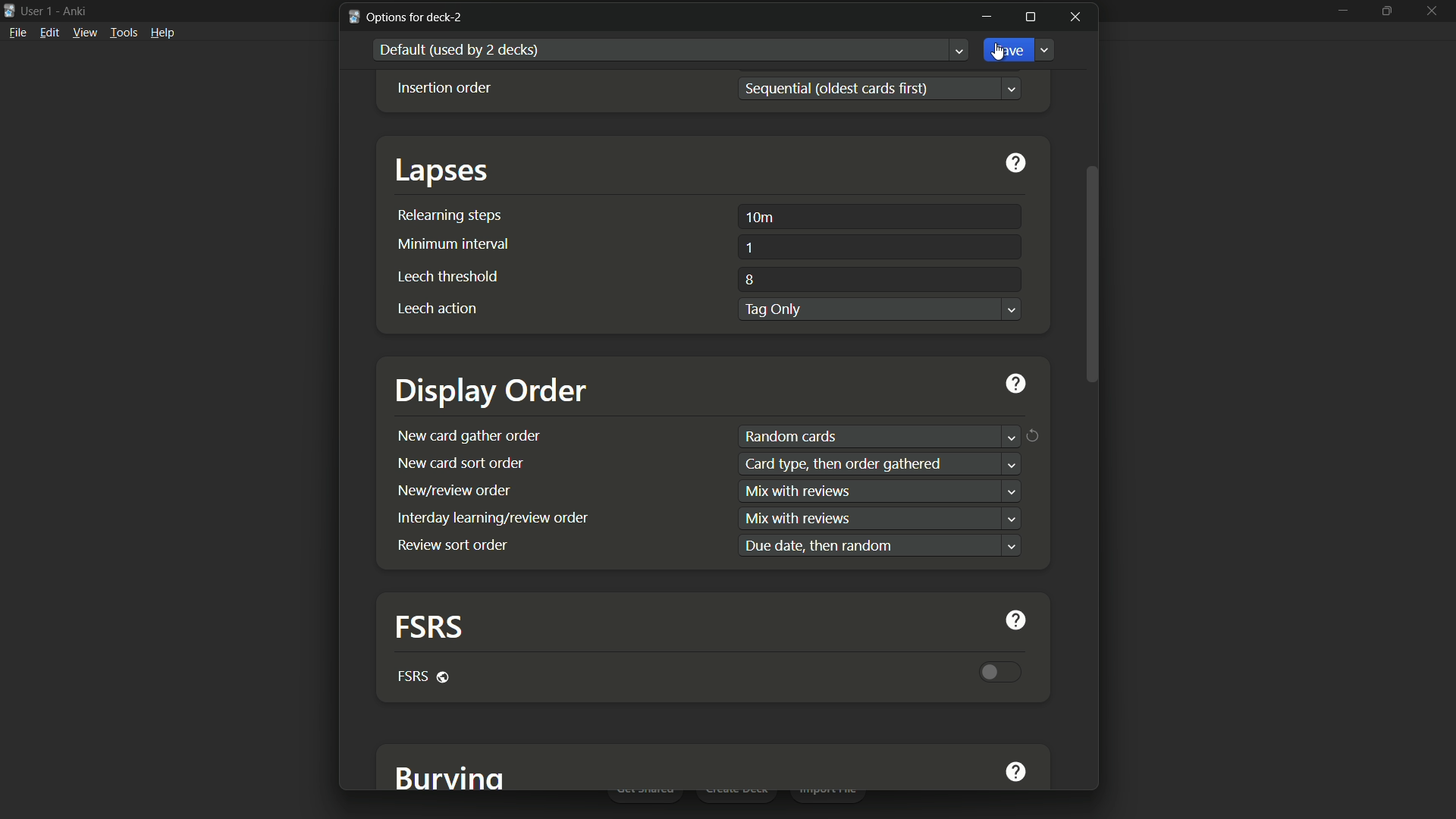  What do you see at coordinates (795, 492) in the screenshot?
I see `text` at bounding box center [795, 492].